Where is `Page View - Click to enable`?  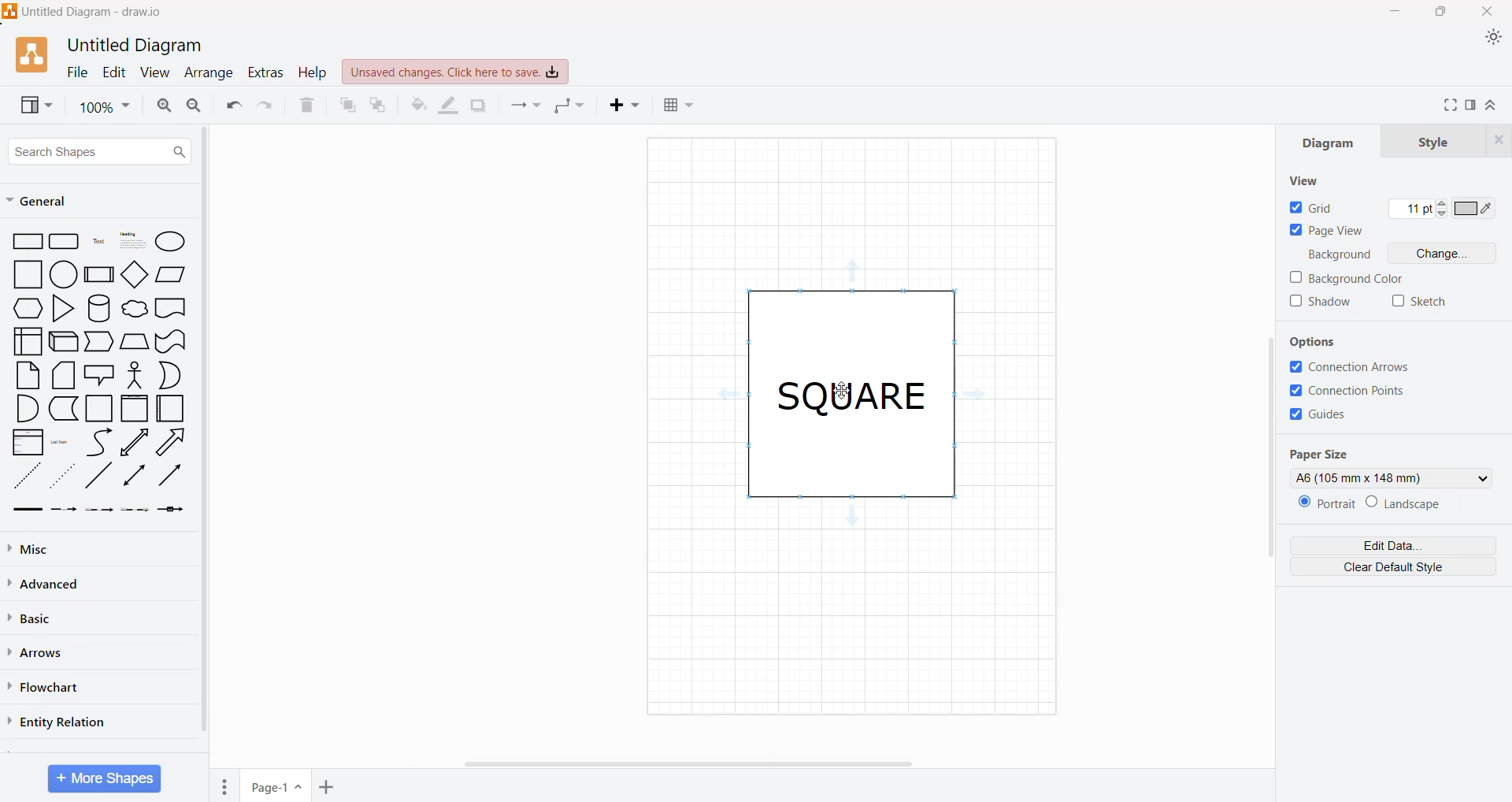
Page View - Click to enable is located at coordinates (1329, 231).